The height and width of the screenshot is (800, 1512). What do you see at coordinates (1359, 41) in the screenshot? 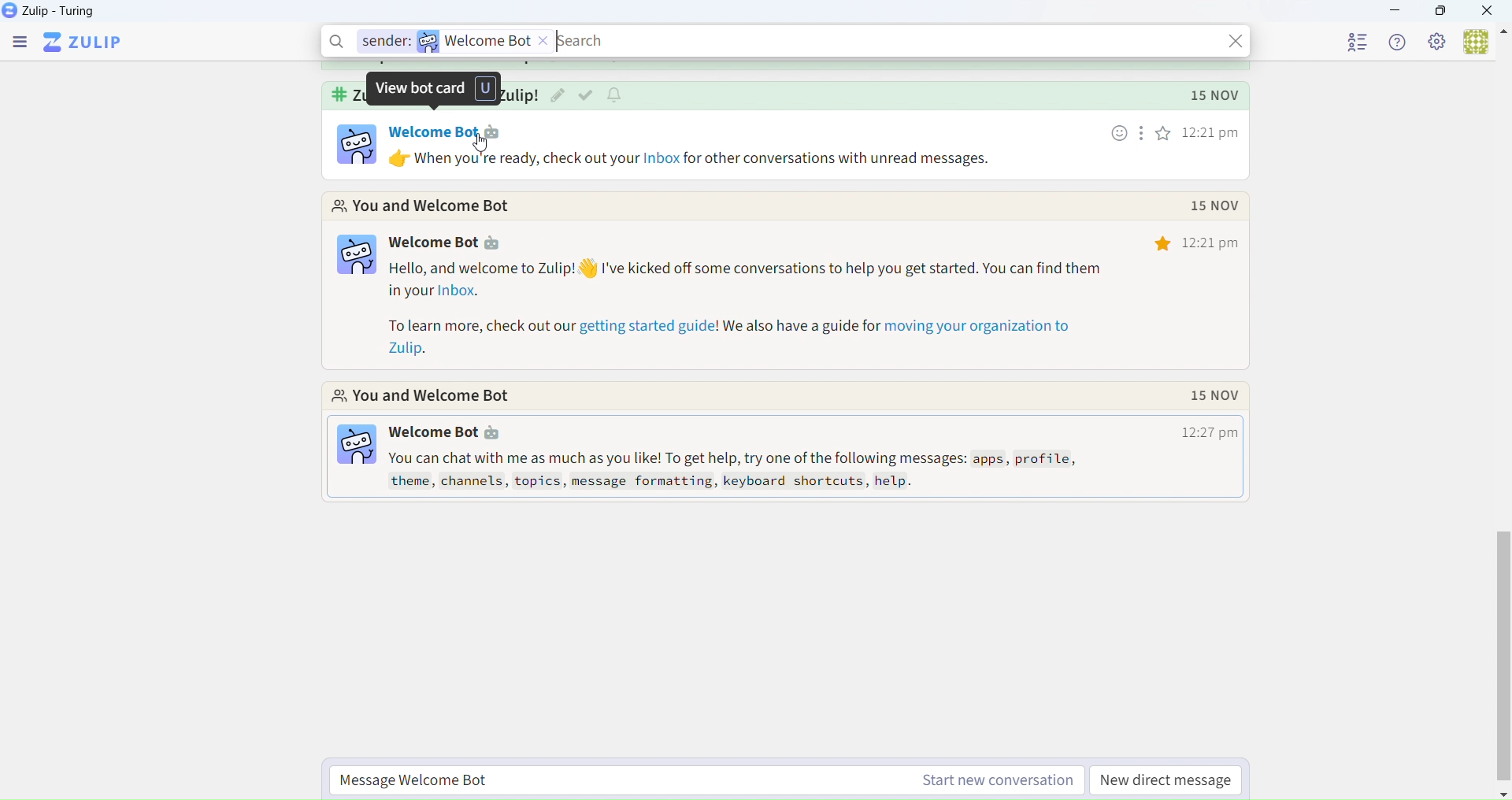
I see `Userlist` at bounding box center [1359, 41].